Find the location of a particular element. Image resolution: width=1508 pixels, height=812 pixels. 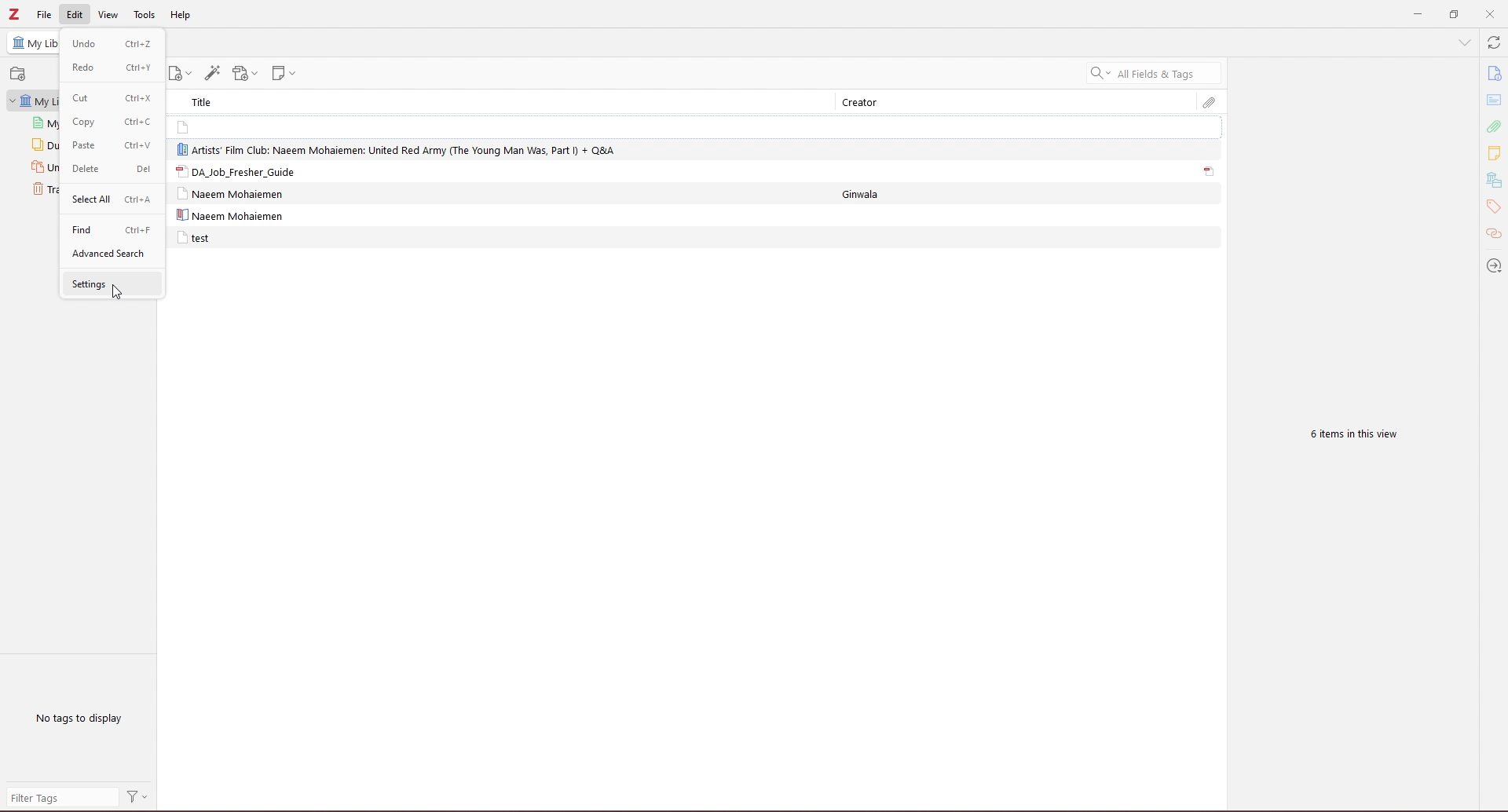

help is located at coordinates (181, 16).